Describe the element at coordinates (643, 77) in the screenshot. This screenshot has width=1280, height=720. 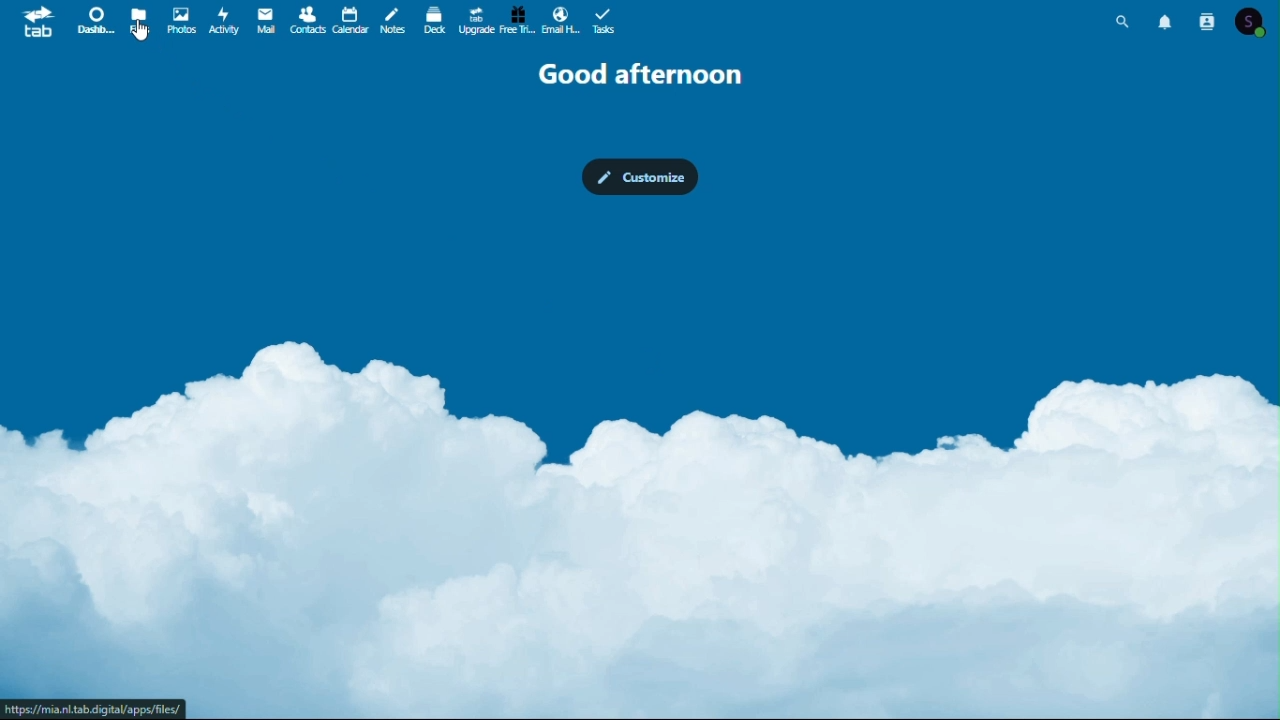
I see `Good afternoon` at that location.